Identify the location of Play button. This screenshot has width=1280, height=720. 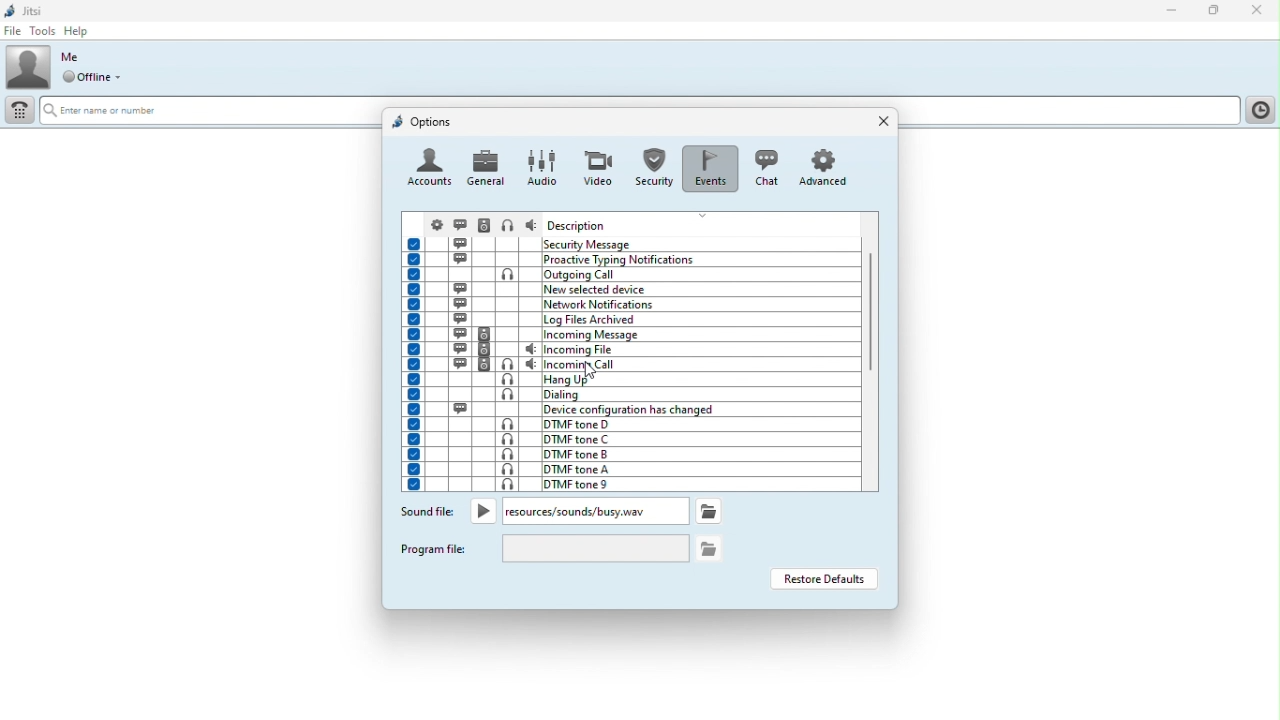
(484, 511).